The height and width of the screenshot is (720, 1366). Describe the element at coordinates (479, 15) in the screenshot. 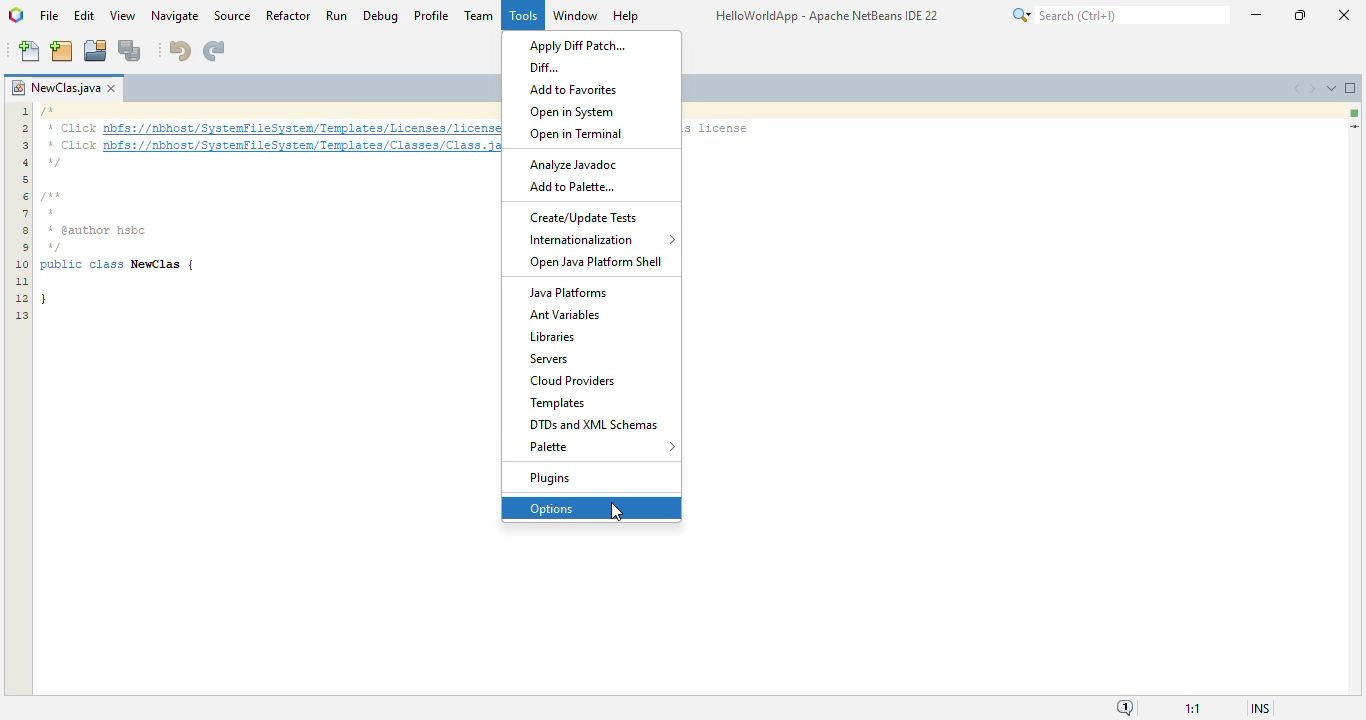

I see `team` at that location.